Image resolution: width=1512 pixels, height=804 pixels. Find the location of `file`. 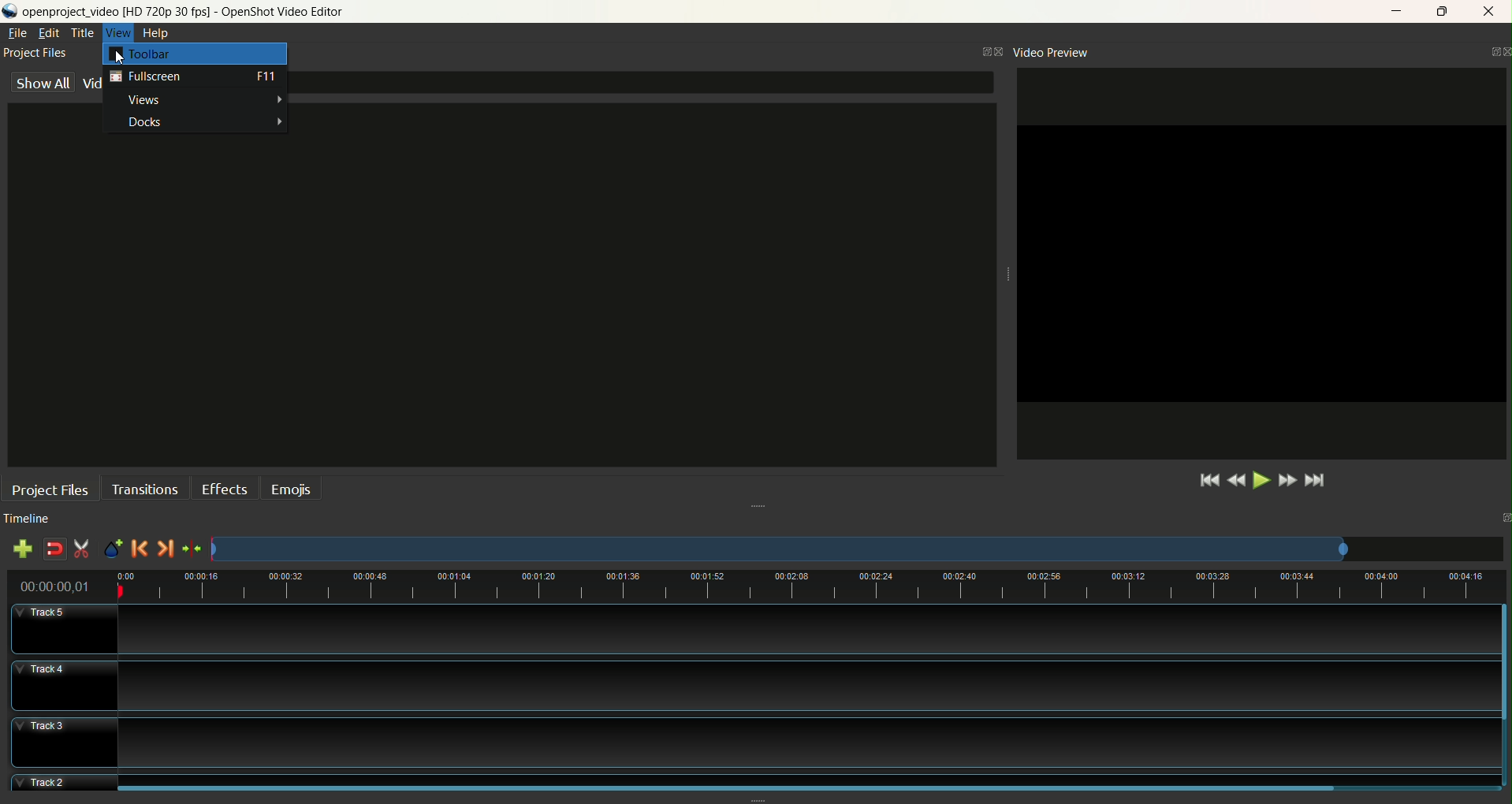

file is located at coordinates (18, 33).